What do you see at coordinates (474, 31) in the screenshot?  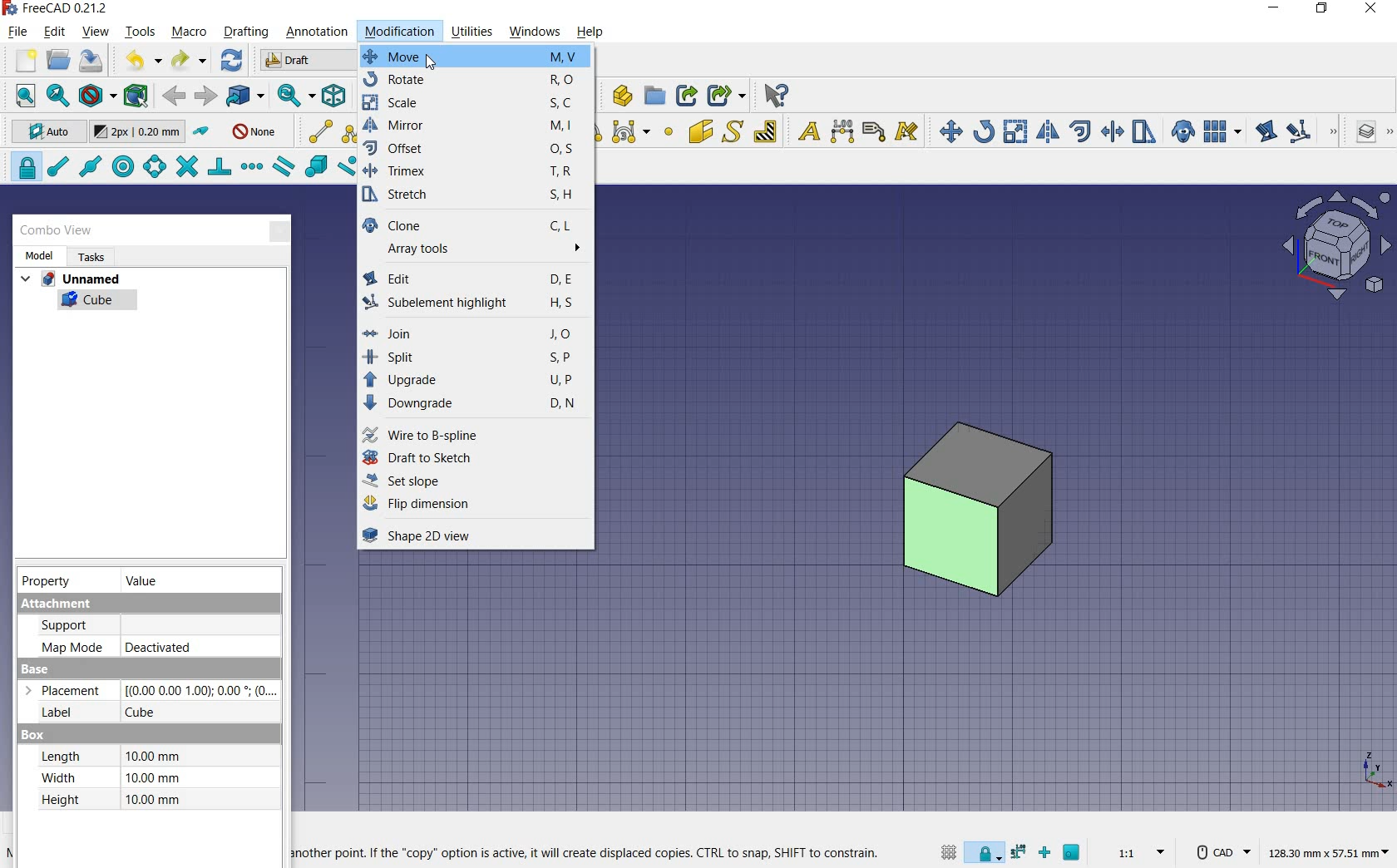 I see `utilities` at bounding box center [474, 31].